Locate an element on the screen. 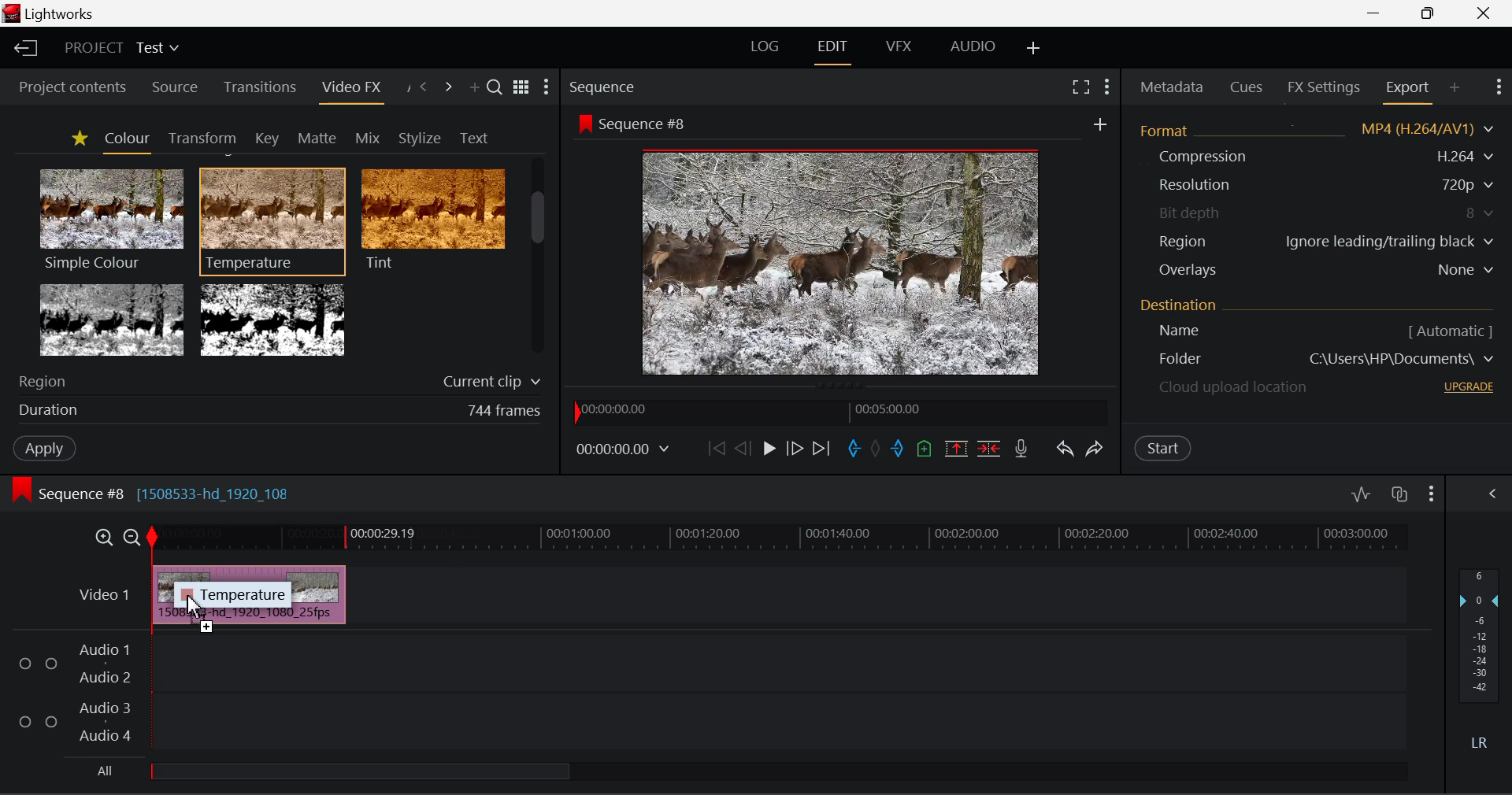  Checkbox is located at coordinates (52, 663).